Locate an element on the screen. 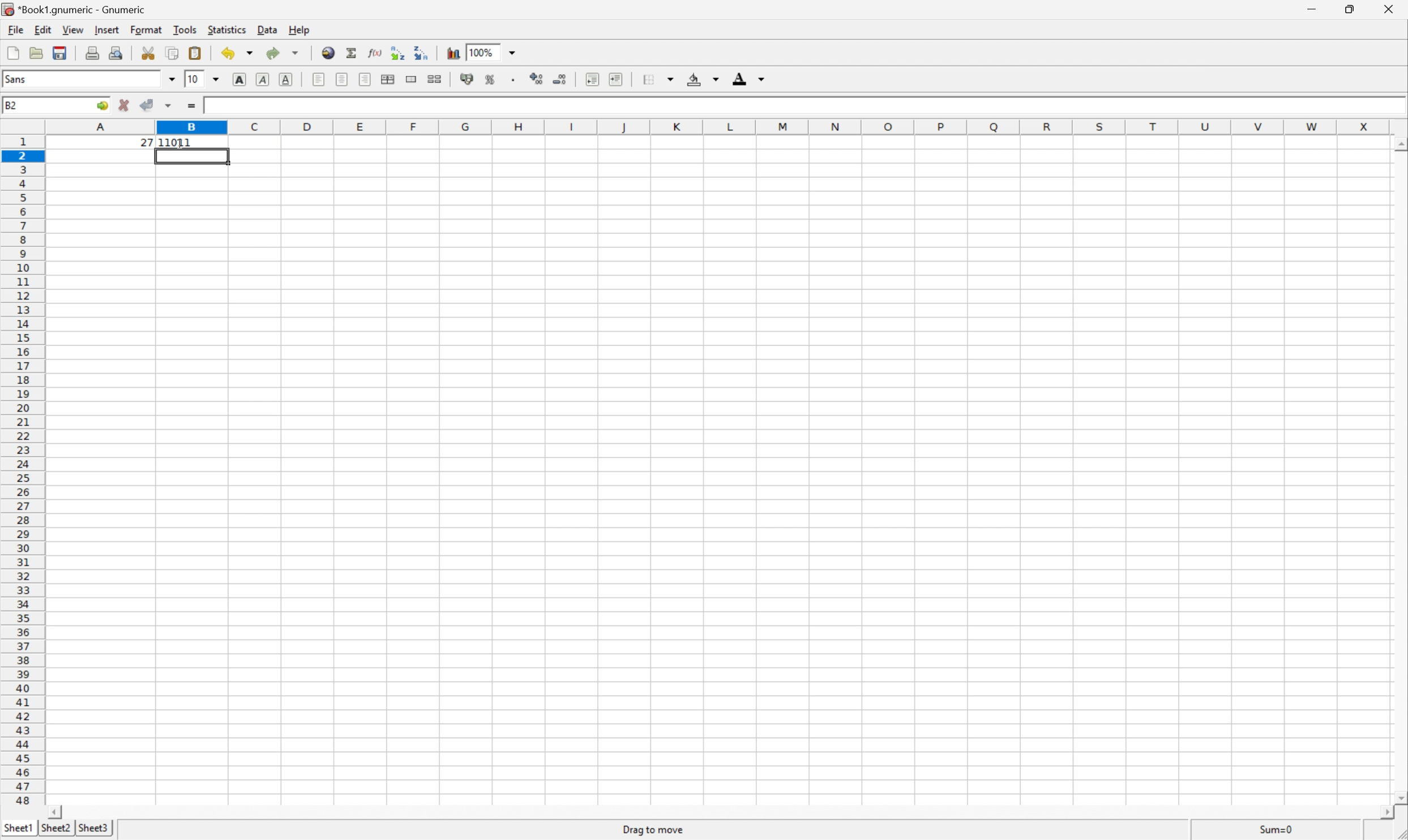 This screenshot has width=1408, height=840. Copy selection is located at coordinates (173, 53).